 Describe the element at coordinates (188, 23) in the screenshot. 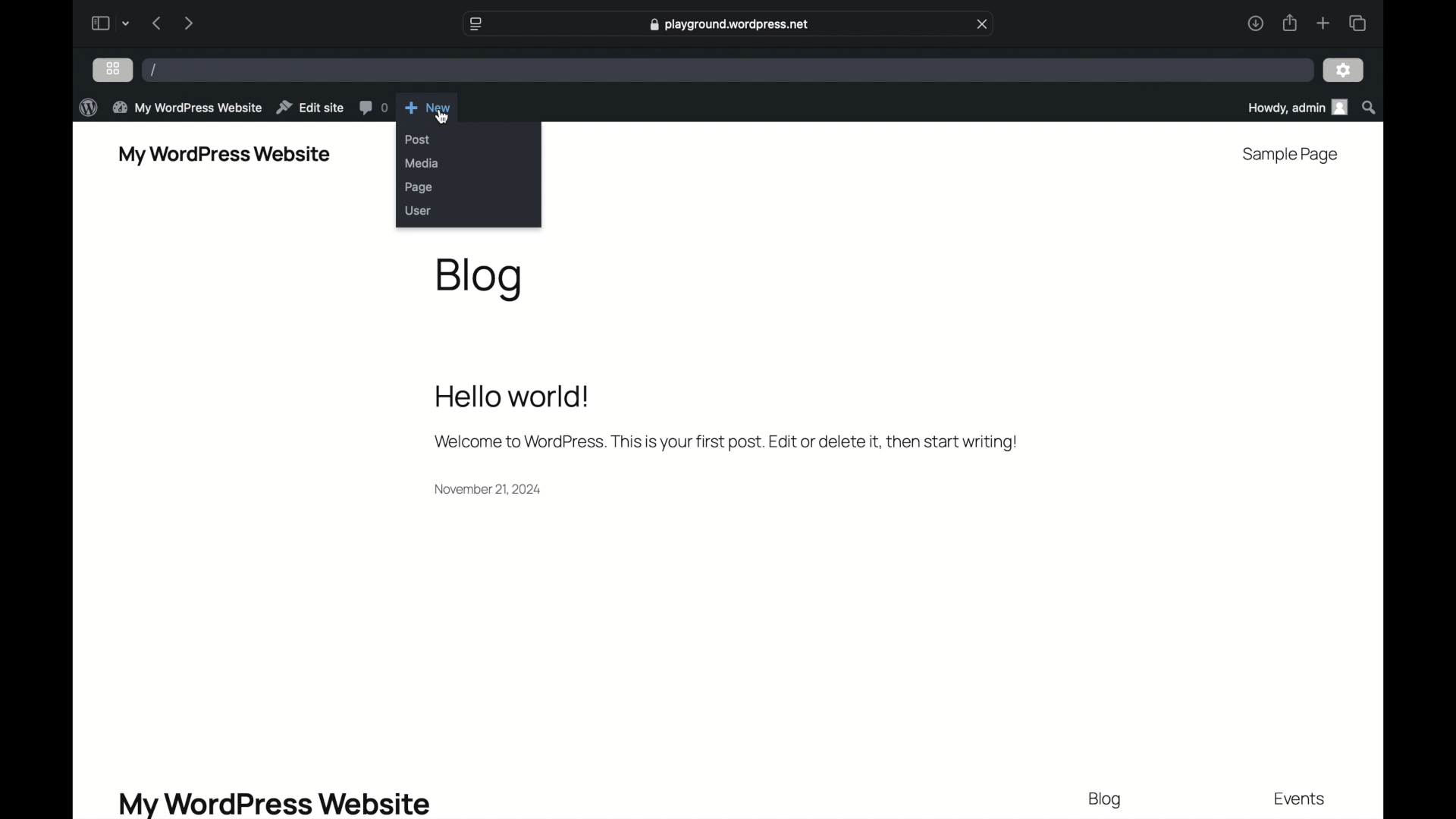

I see `next page` at that location.